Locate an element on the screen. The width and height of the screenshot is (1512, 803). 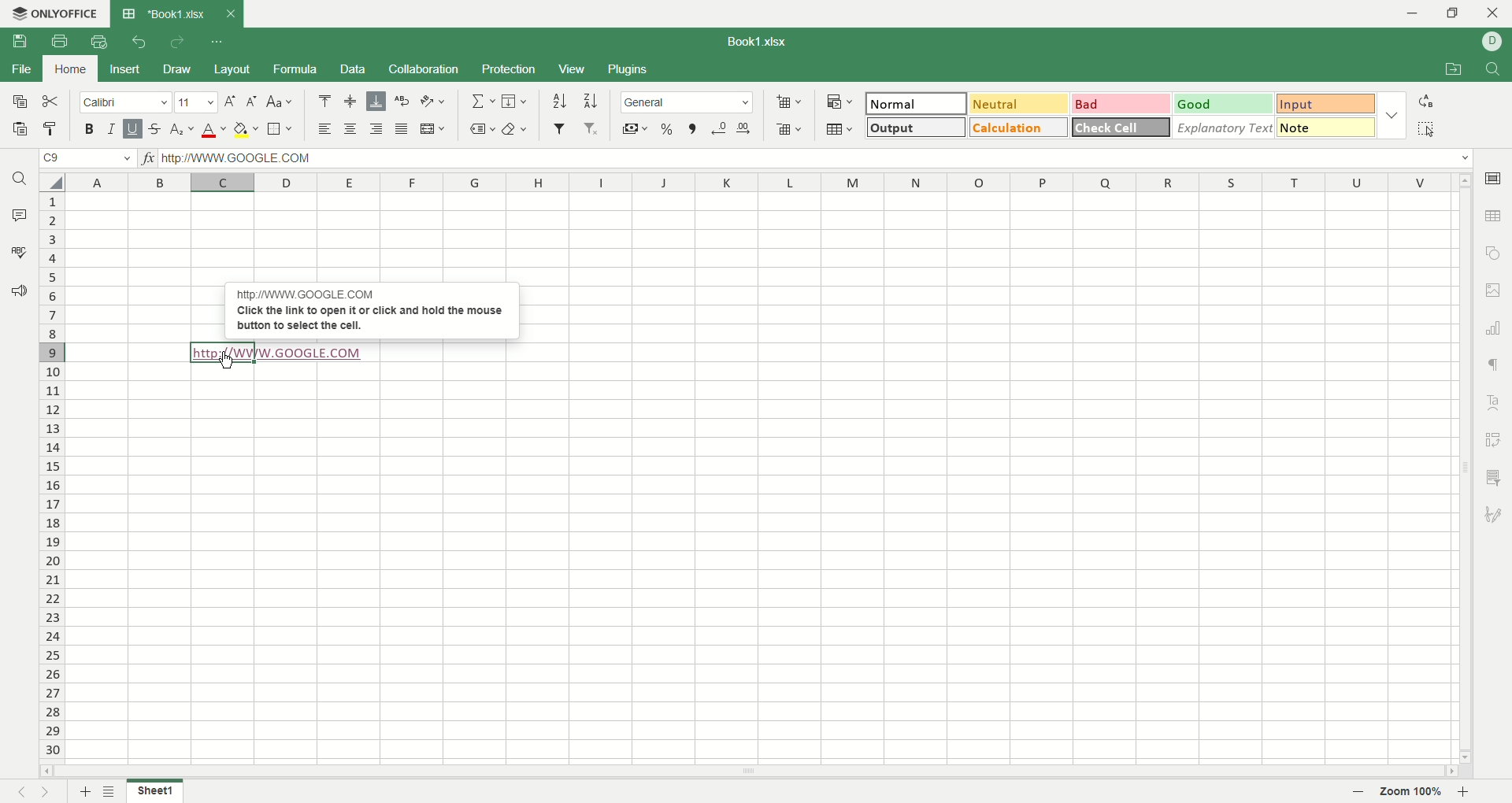
check cell is located at coordinates (1120, 128).